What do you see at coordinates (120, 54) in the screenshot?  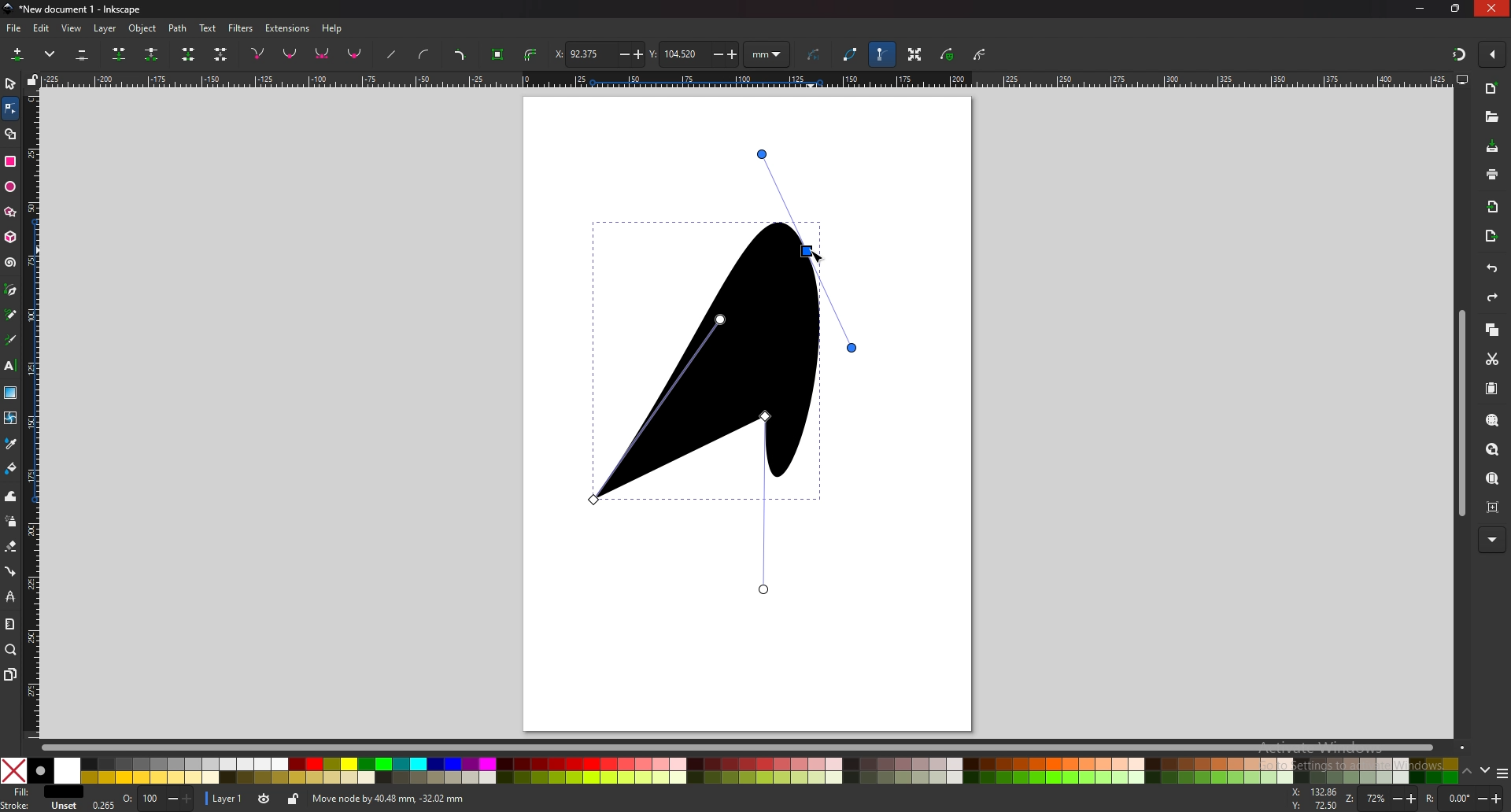 I see `join selected nodes` at bounding box center [120, 54].